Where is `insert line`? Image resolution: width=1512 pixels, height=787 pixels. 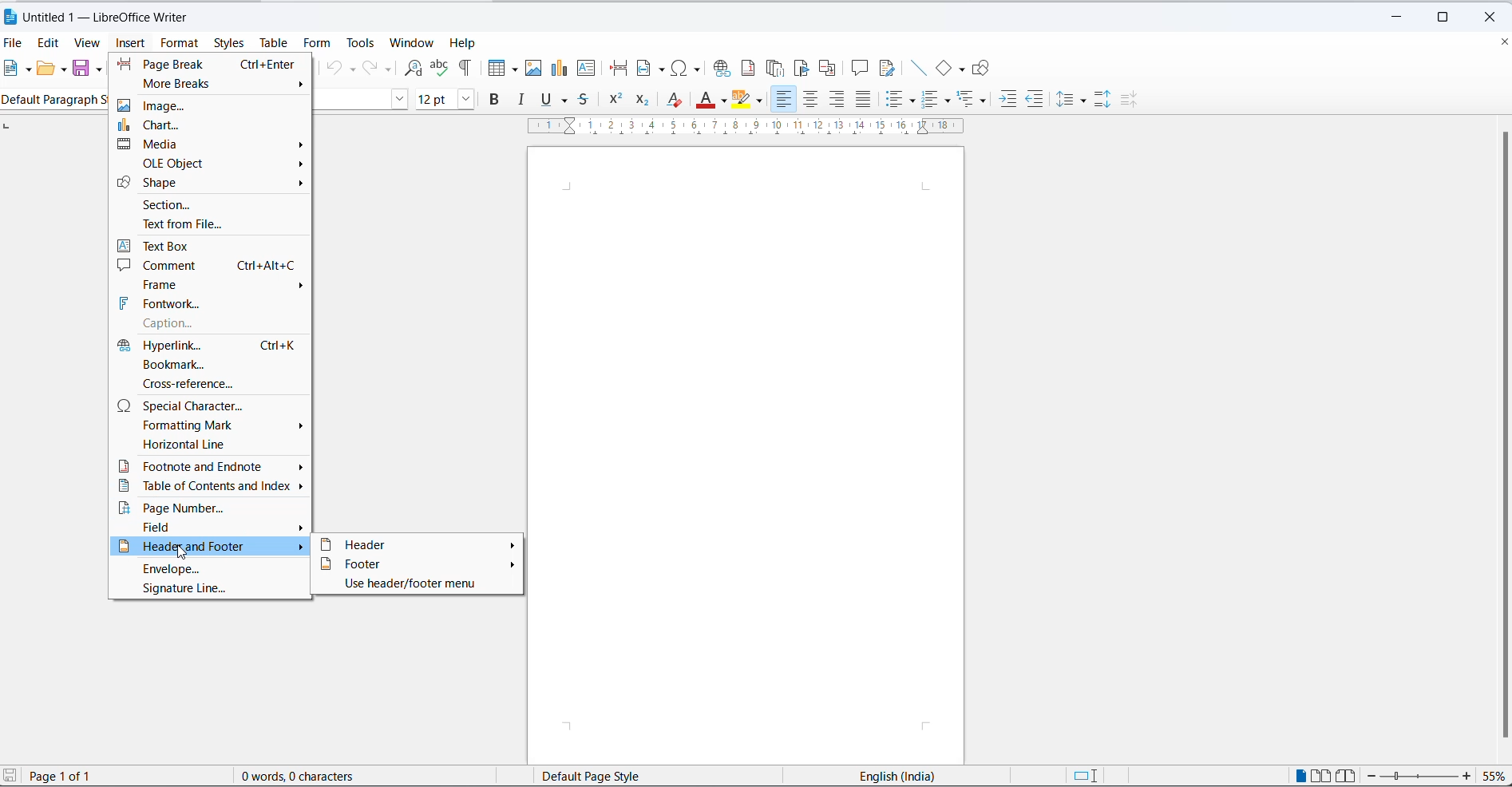 insert line is located at coordinates (917, 69).